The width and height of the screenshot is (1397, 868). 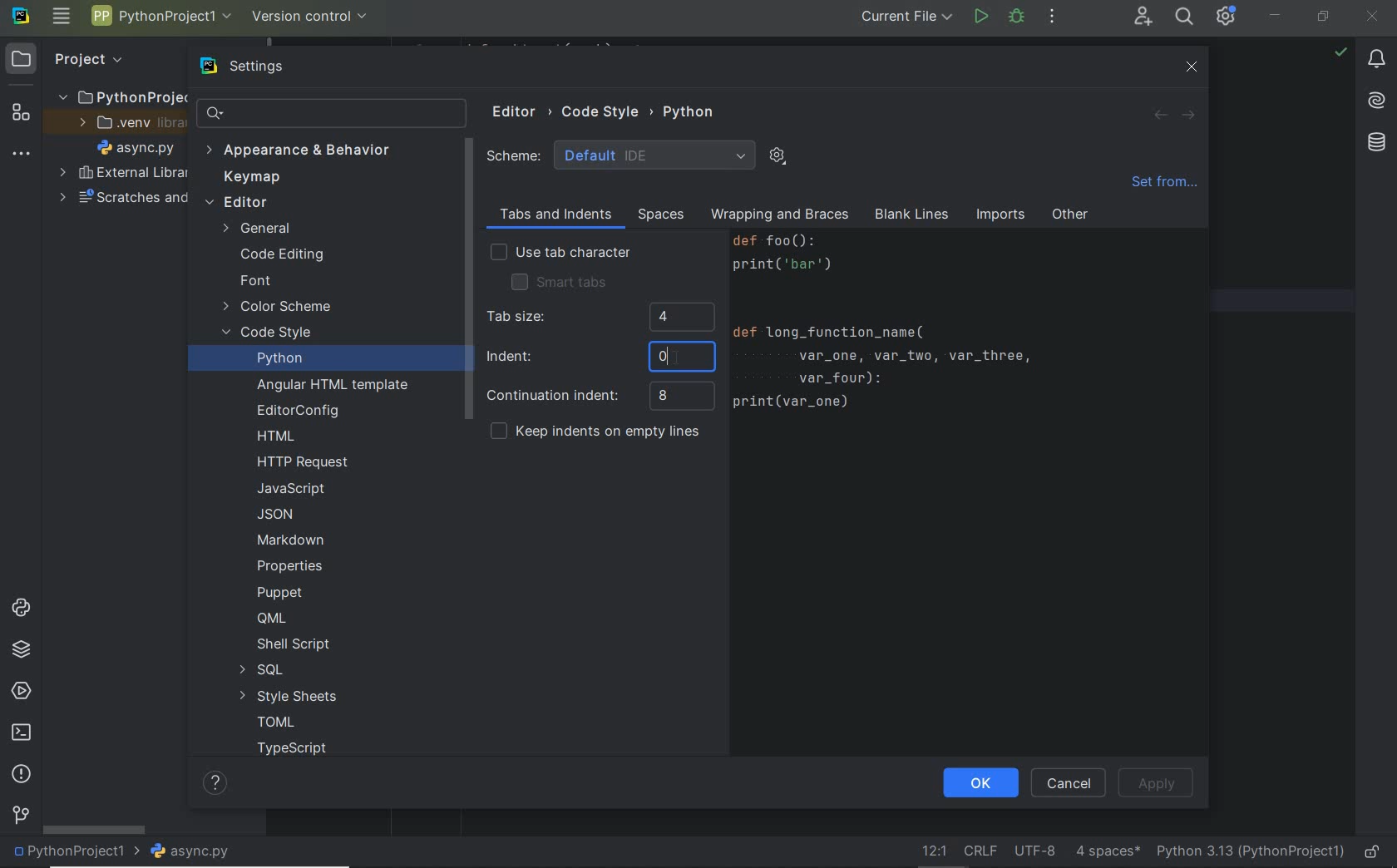 I want to click on SHELL SCRIPT, so click(x=293, y=645).